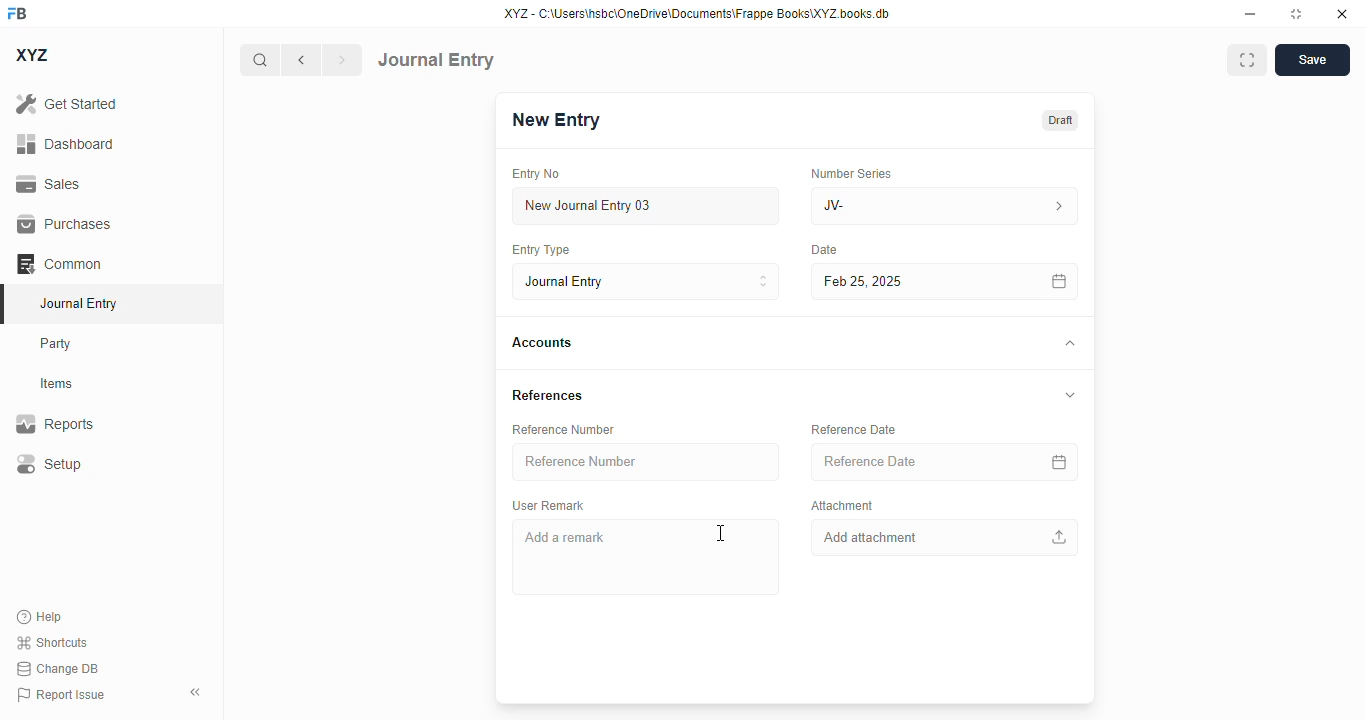 This screenshot has width=1366, height=720. I want to click on calendar icon, so click(1062, 282).